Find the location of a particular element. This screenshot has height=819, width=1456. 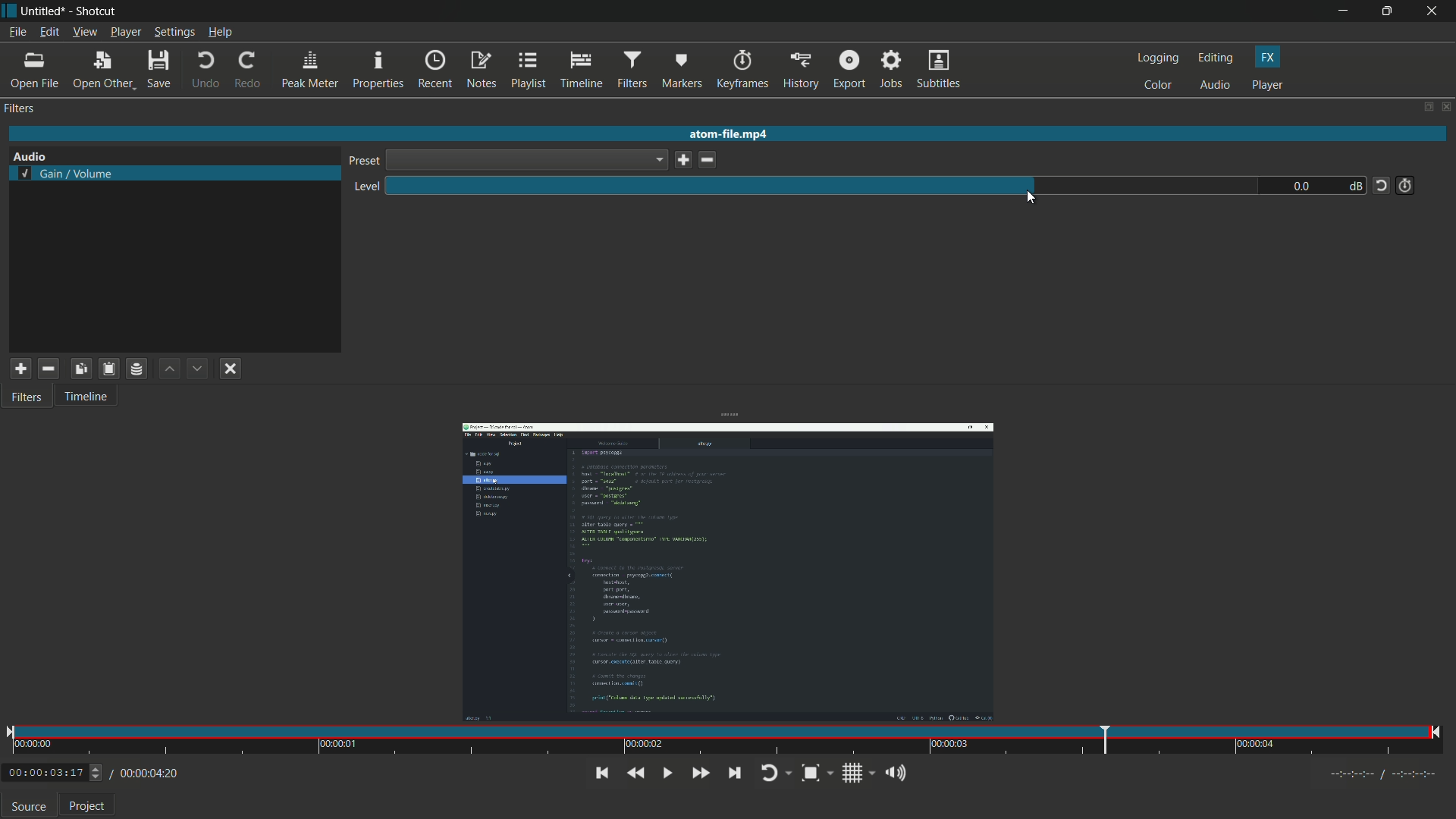

properties is located at coordinates (378, 70).